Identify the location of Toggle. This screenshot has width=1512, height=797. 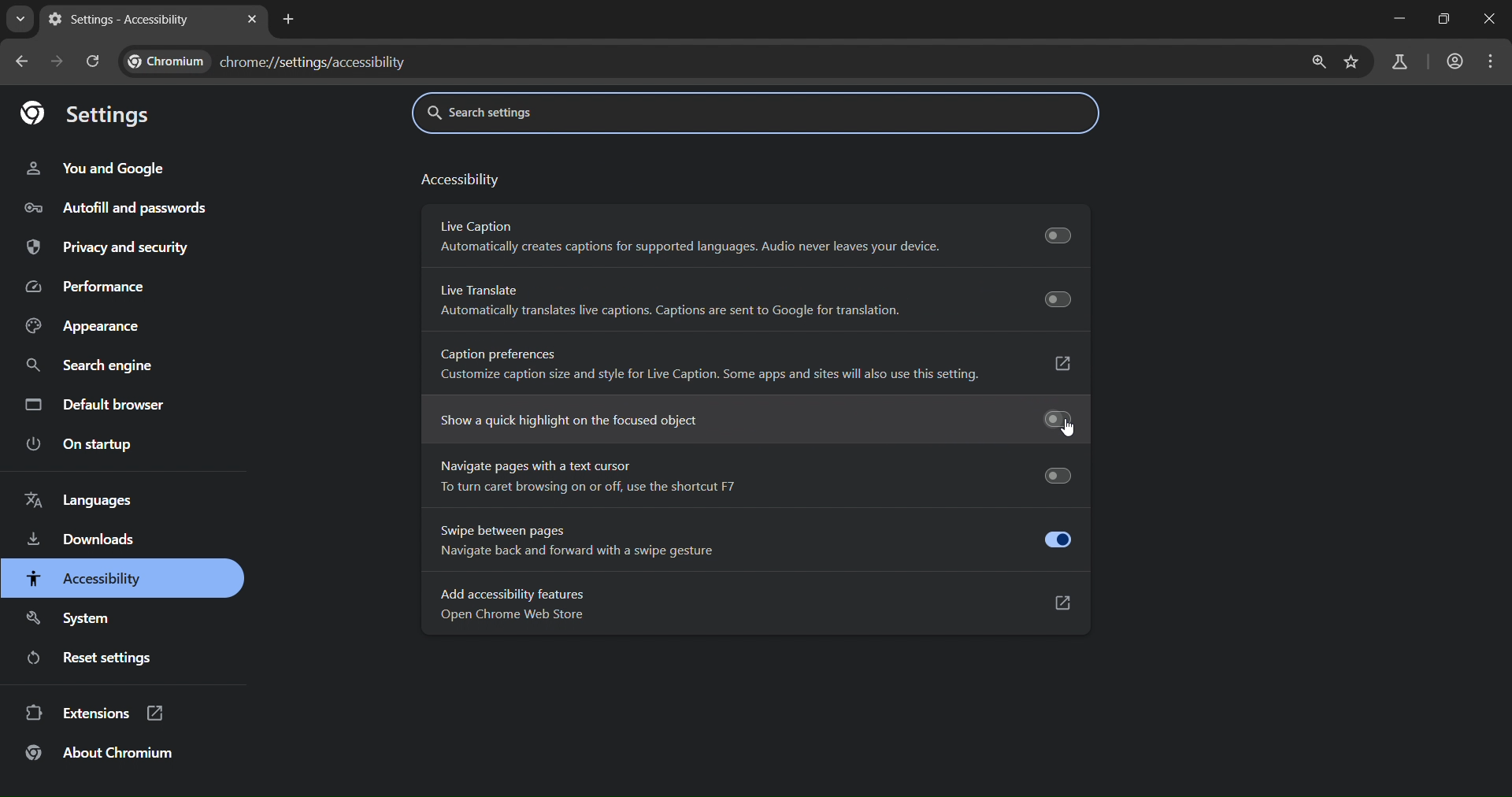
(1058, 299).